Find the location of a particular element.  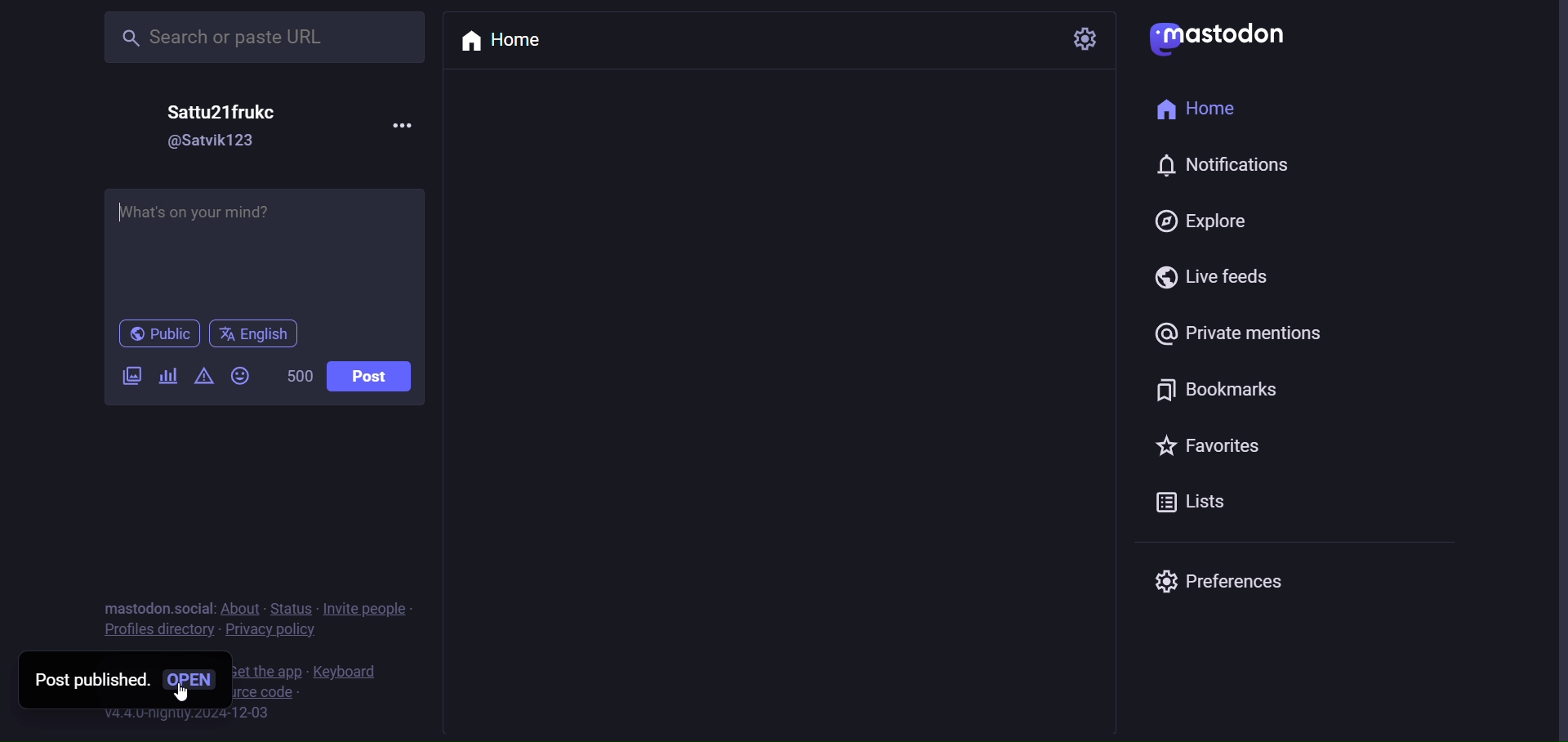

english is located at coordinates (258, 333).